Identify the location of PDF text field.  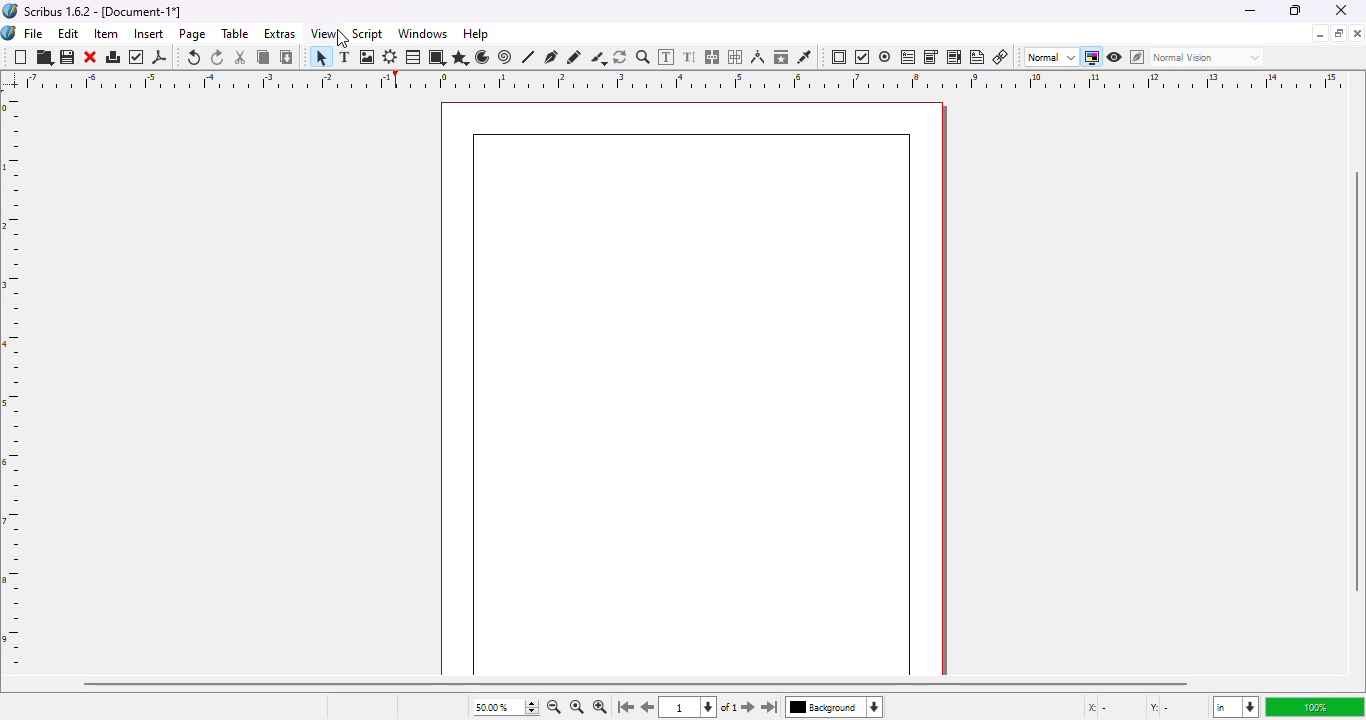
(908, 56).